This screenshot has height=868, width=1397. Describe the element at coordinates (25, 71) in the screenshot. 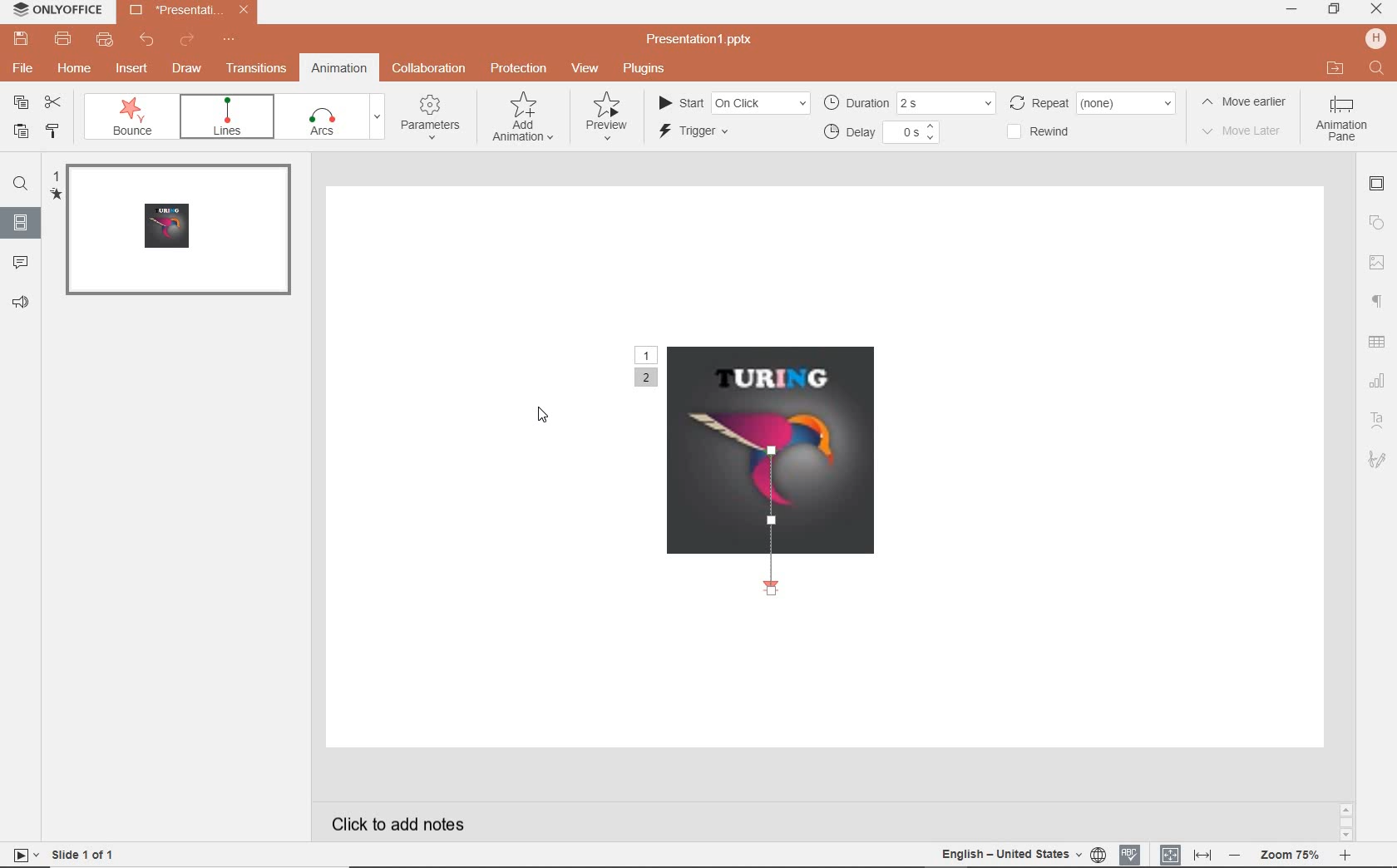

I see `file` at that location.